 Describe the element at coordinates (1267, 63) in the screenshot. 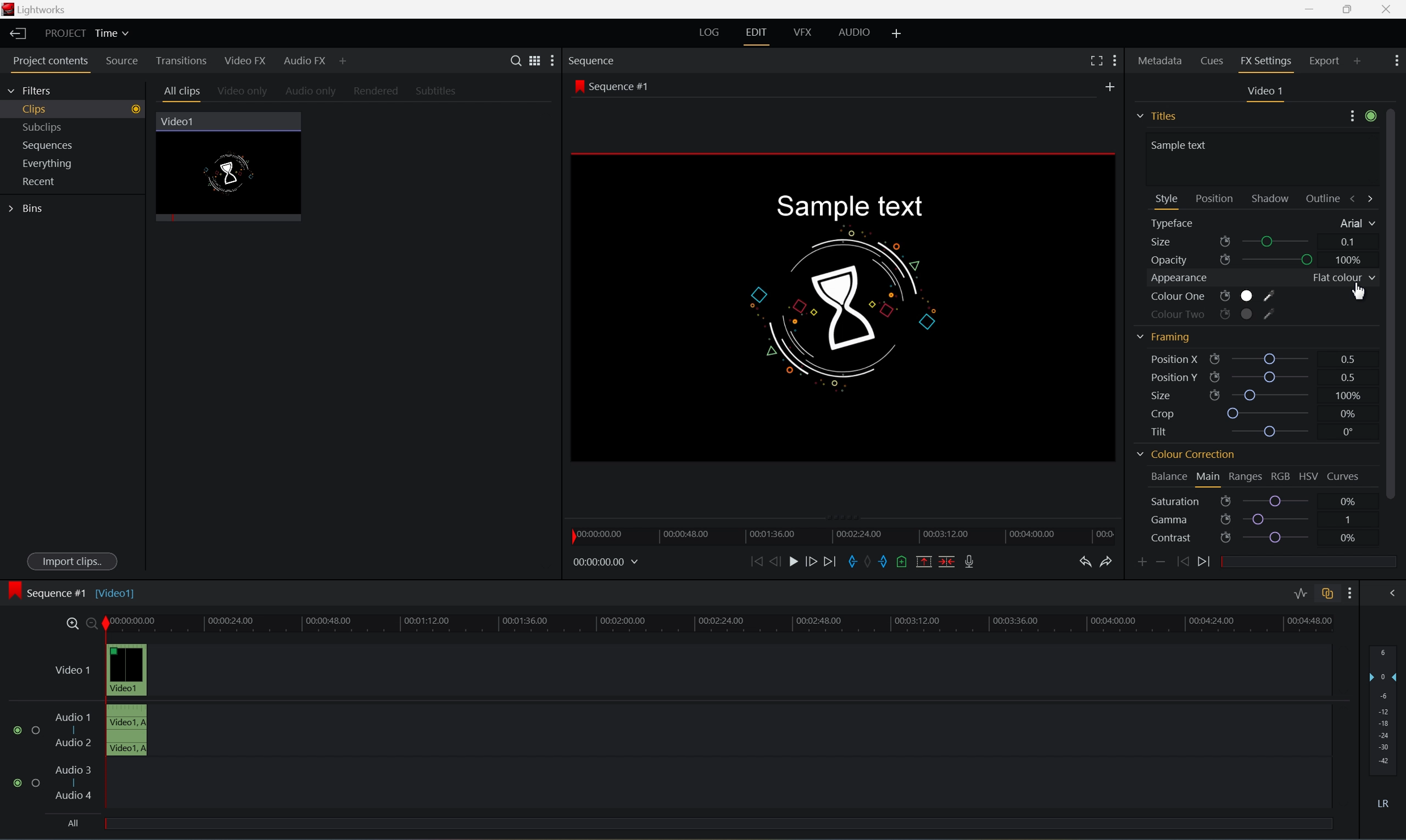

I see `fx settings` at that location.